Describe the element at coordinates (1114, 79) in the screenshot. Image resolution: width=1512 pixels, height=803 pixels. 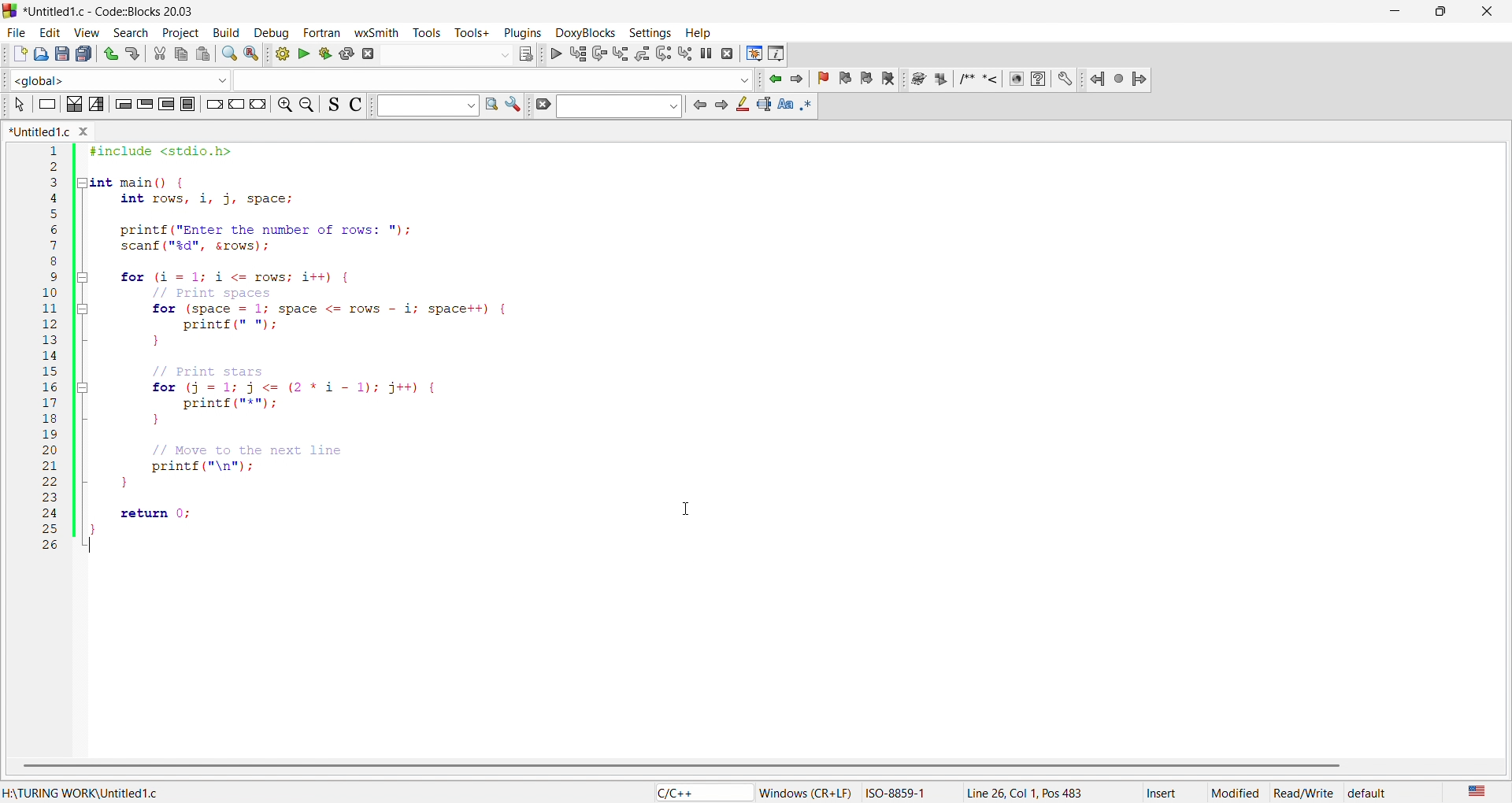
I see `jump icon` at that location.